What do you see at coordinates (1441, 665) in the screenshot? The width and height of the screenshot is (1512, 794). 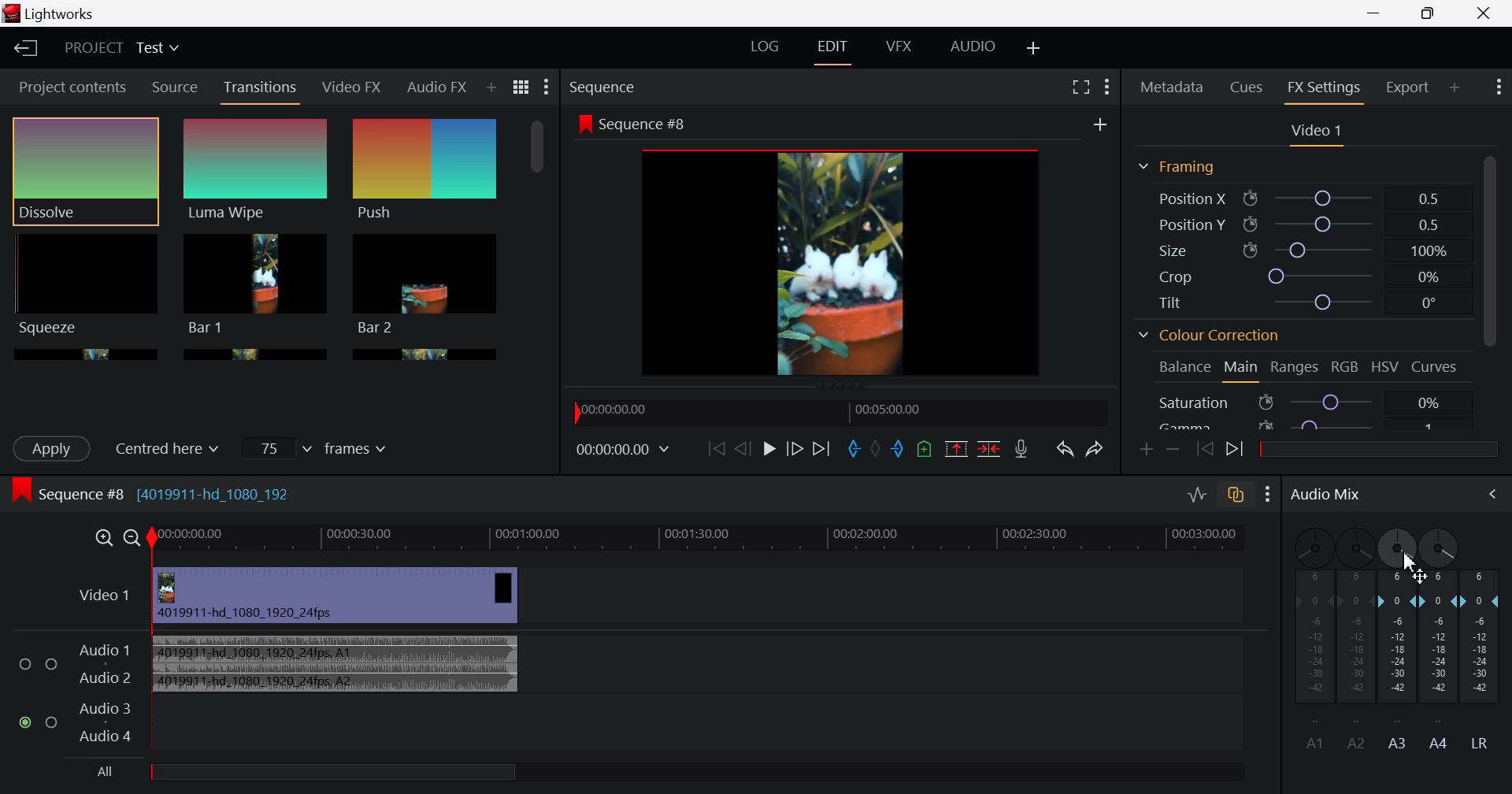 I see `A4 Channel Decibel Level` at bounding box center [1441, 665].